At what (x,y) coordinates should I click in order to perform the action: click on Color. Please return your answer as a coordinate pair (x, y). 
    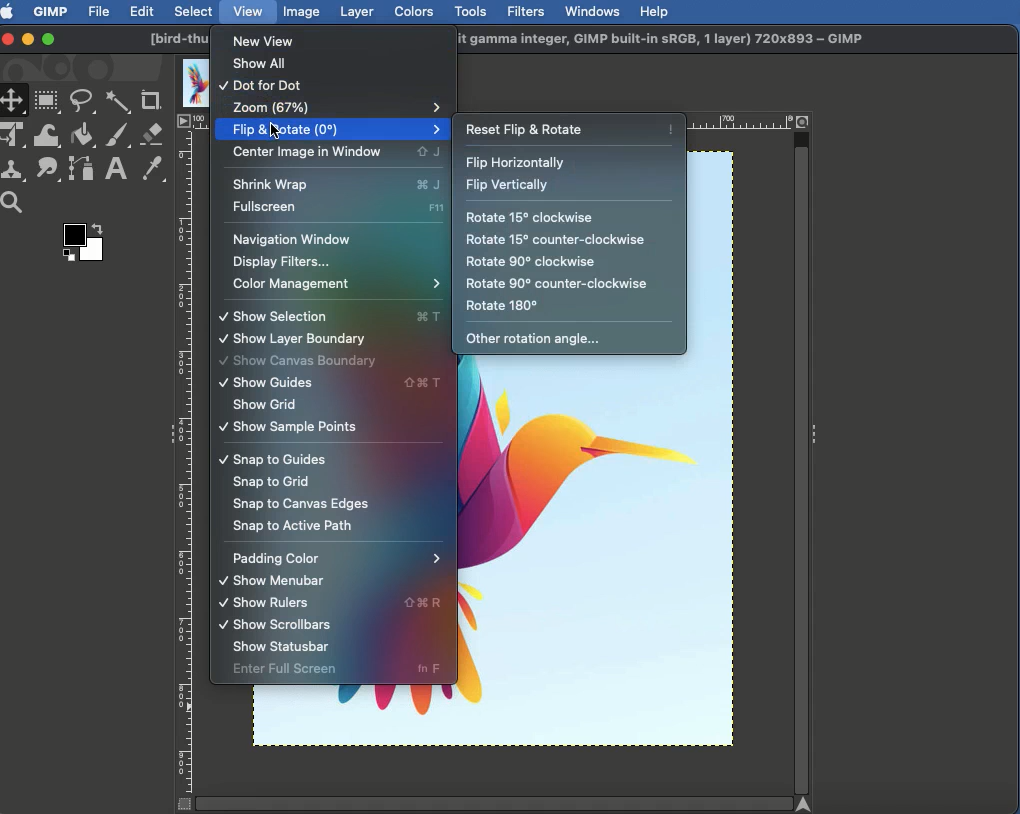
    Looking at the image, I should click on (81, 246).